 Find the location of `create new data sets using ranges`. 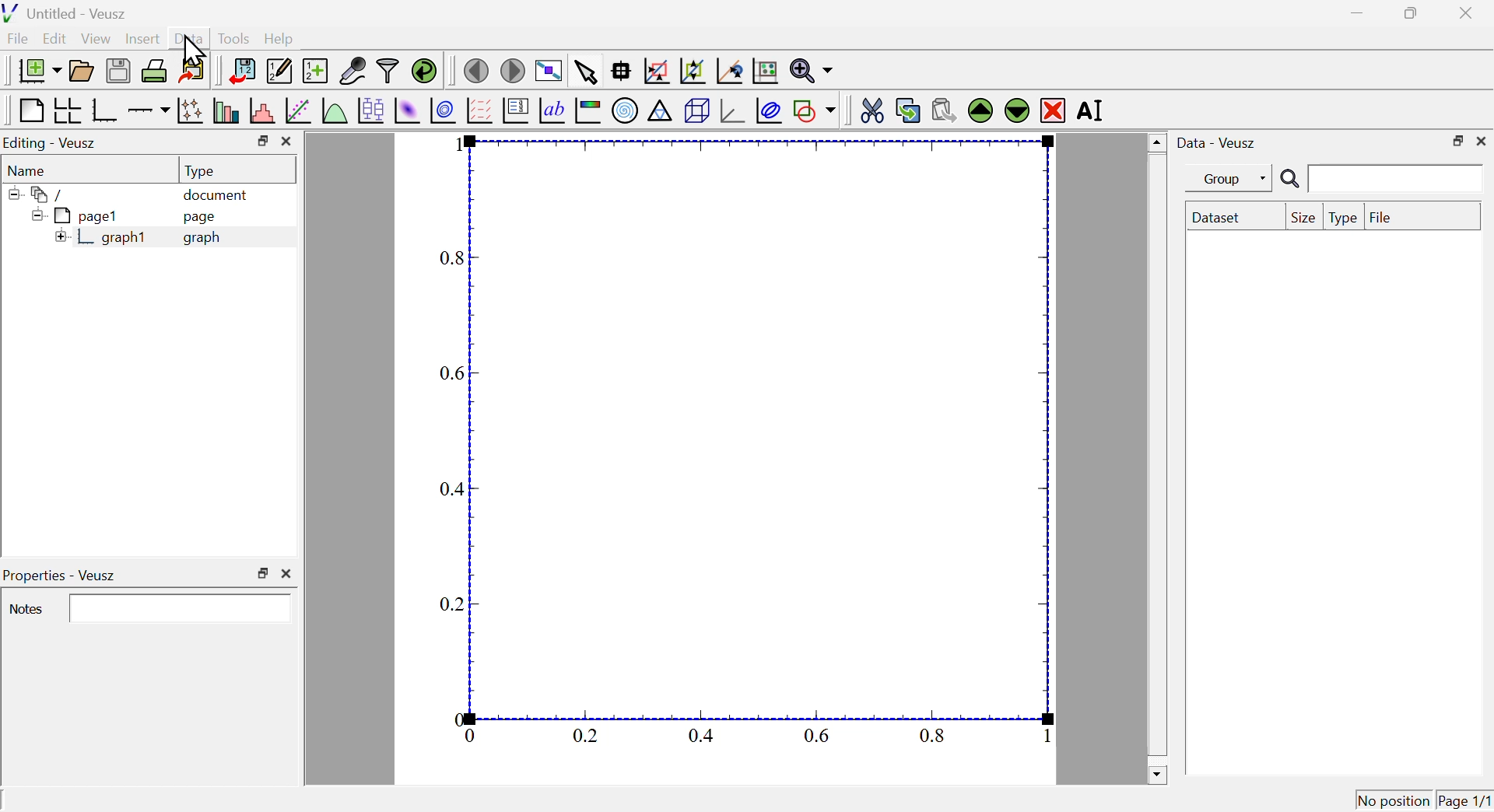

create new data sets using ranges is located at coordinates (315, 69).